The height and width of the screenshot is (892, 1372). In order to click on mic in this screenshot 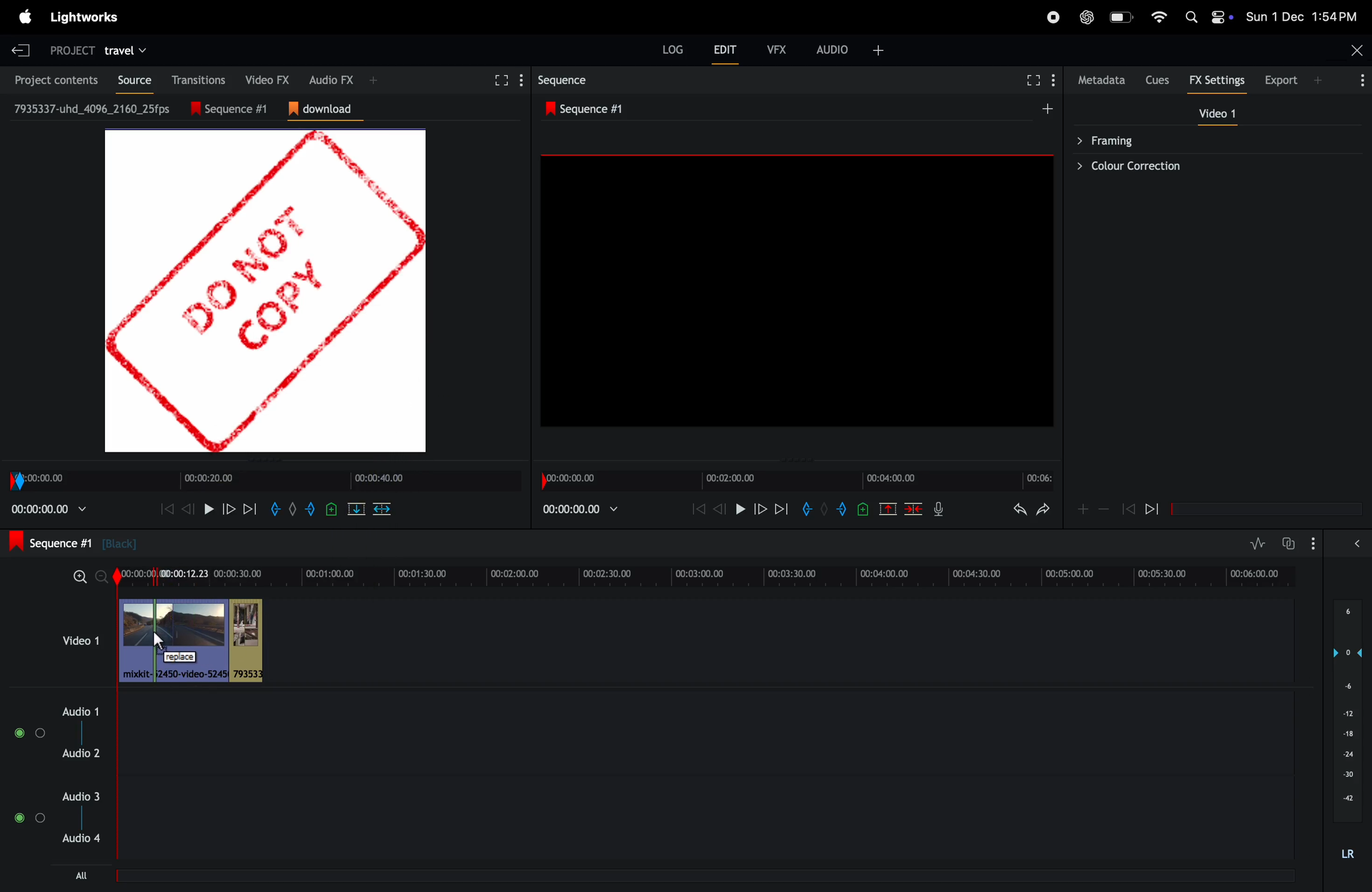, I will do `click(938, 508)`.